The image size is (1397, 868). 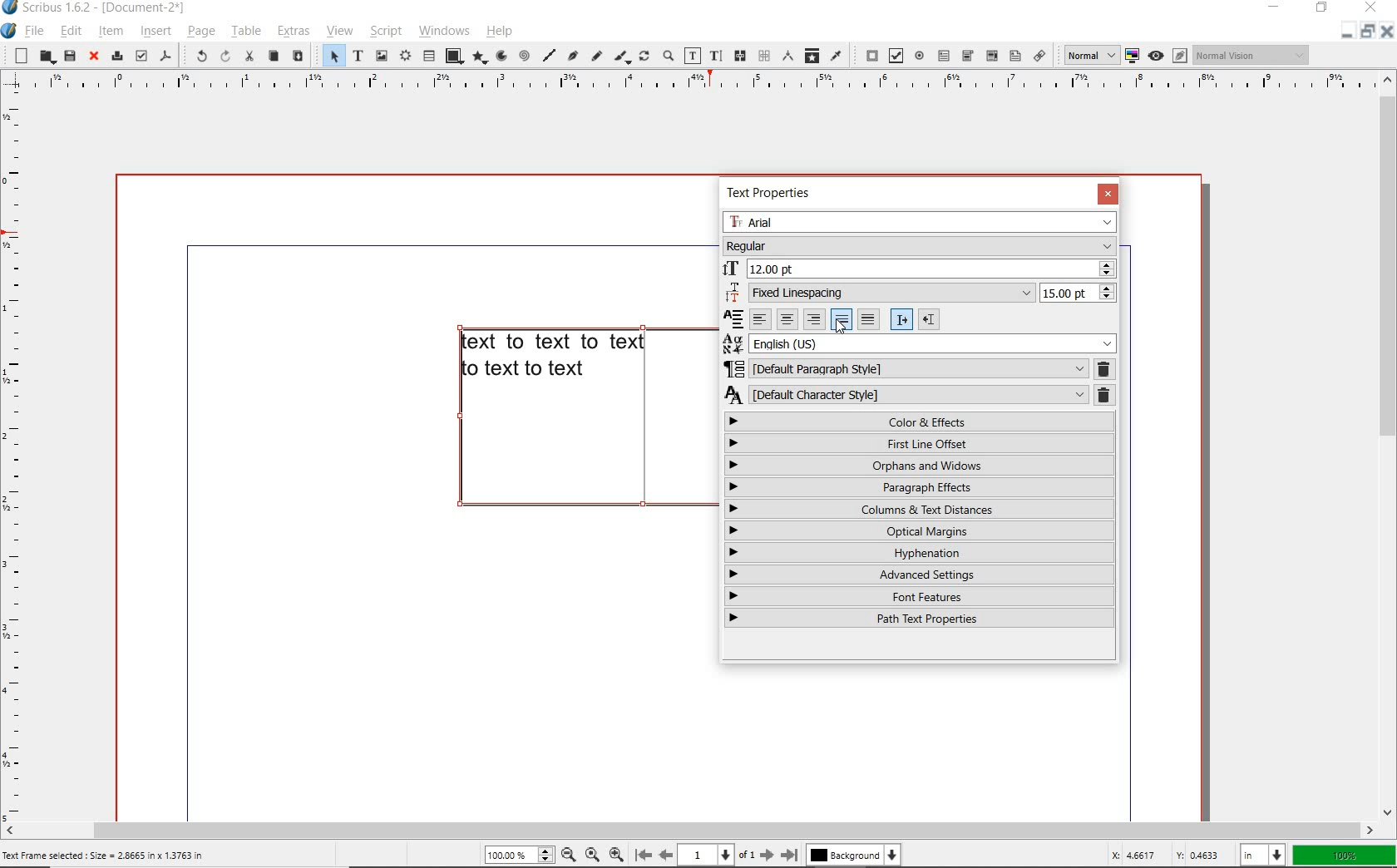 What do you see at coordinates (499, 31) in the screenshot?
I see `help` at bounding box center [499, 31].